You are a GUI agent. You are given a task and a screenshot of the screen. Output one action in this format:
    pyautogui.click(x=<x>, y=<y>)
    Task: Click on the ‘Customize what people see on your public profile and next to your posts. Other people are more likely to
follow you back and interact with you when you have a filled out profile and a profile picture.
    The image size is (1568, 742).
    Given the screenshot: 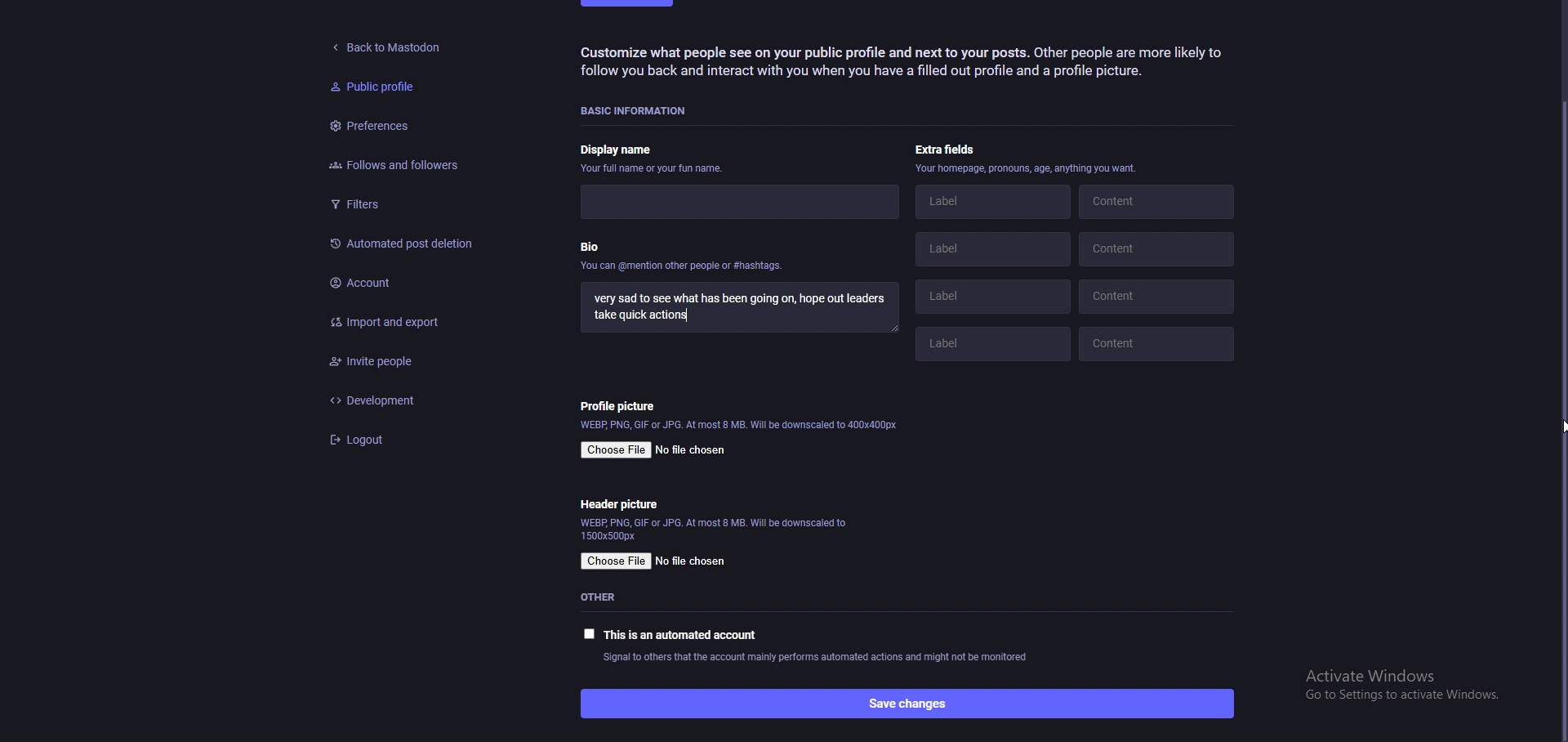 What is the action you would take?
    pyautogui.click(x=911, y=65)
    